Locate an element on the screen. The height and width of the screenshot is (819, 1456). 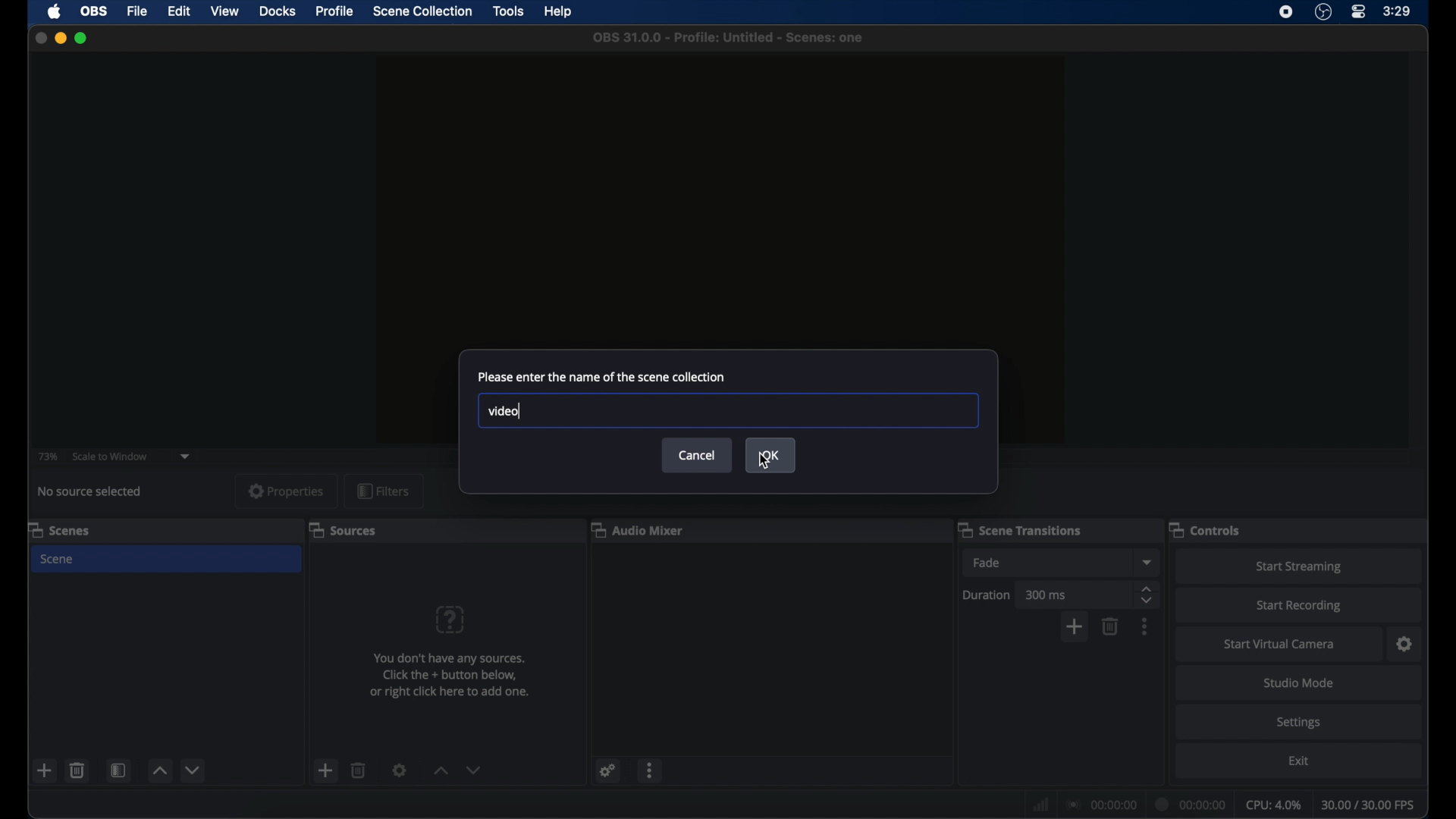
add is located at coordinates (45, 770).